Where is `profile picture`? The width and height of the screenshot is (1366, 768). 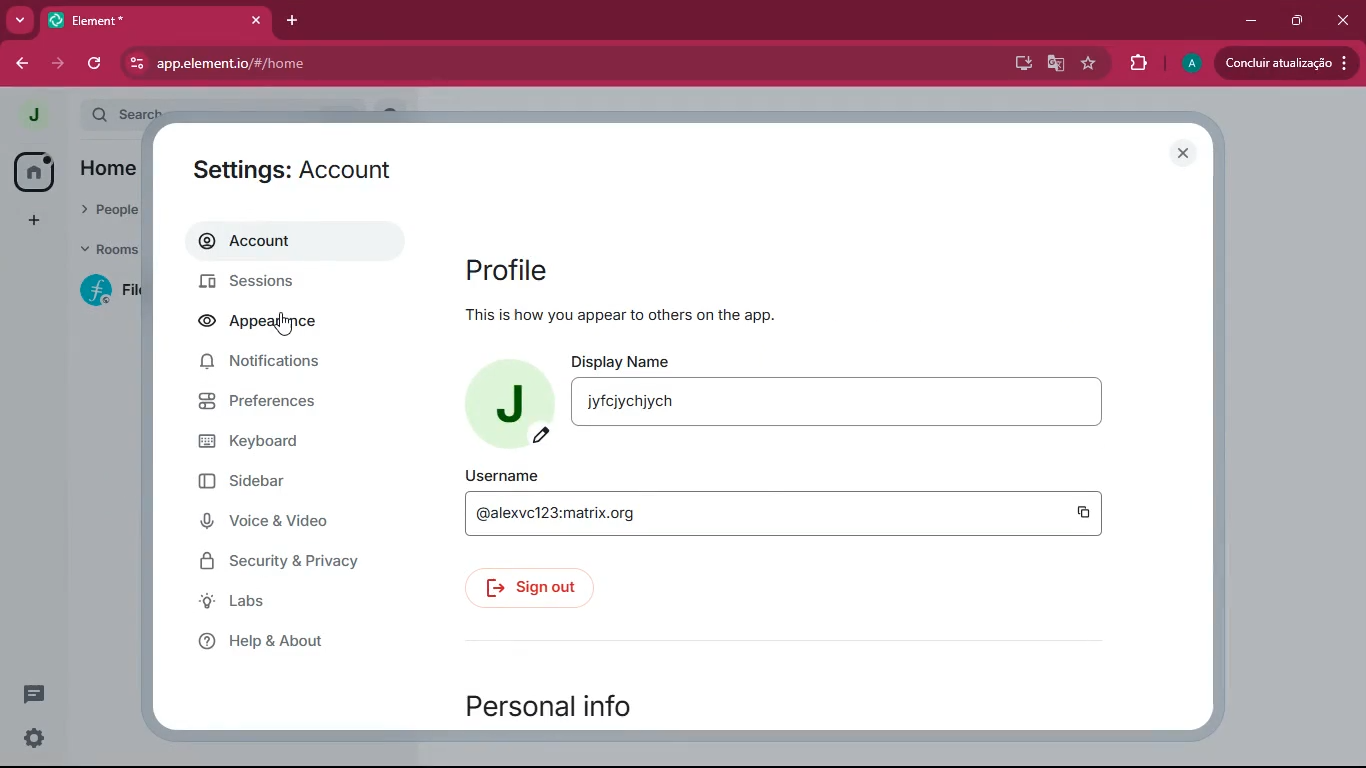
profile picture is located at coordinates (513, 401).